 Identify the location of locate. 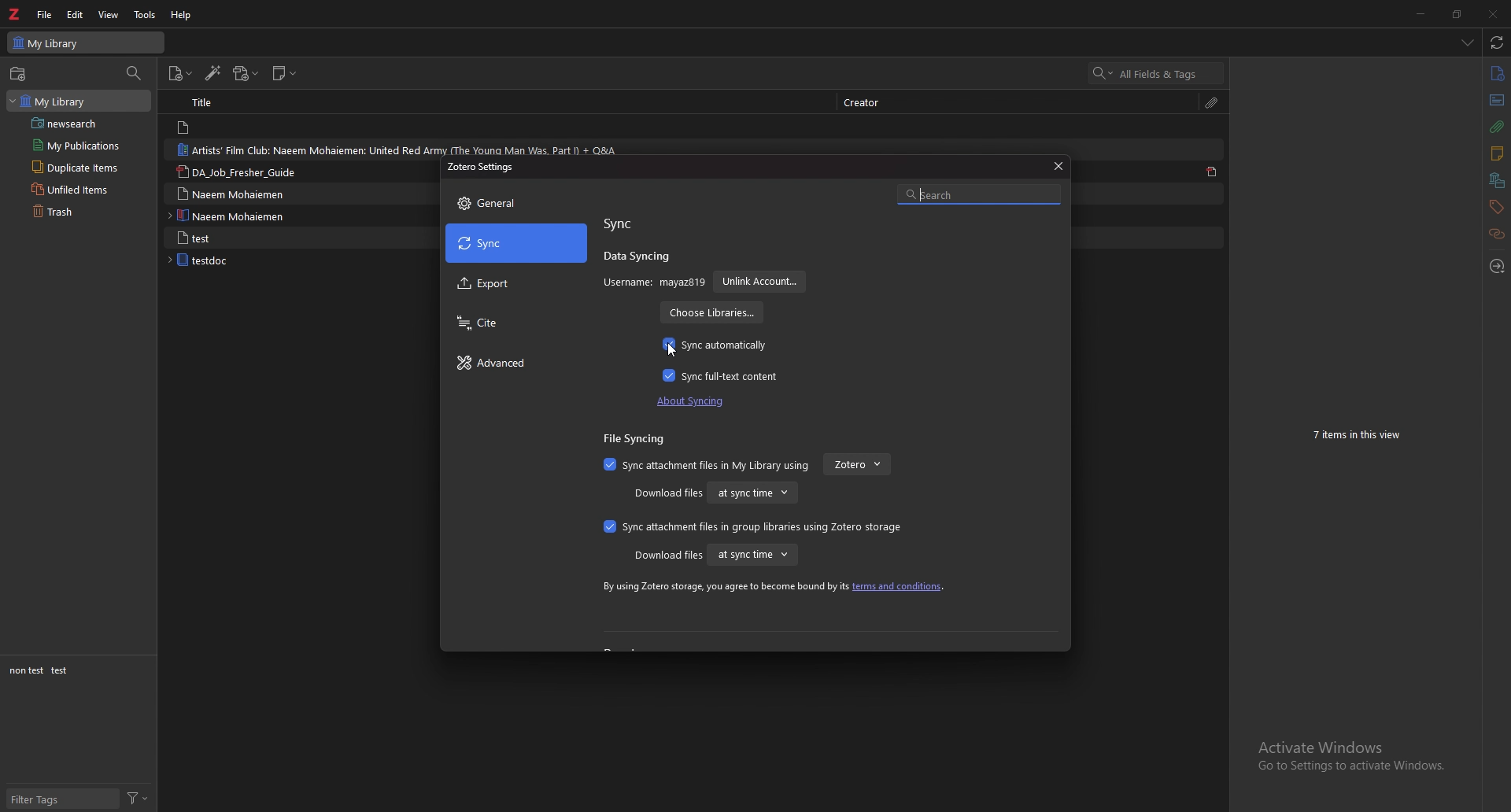
(1498, 264).